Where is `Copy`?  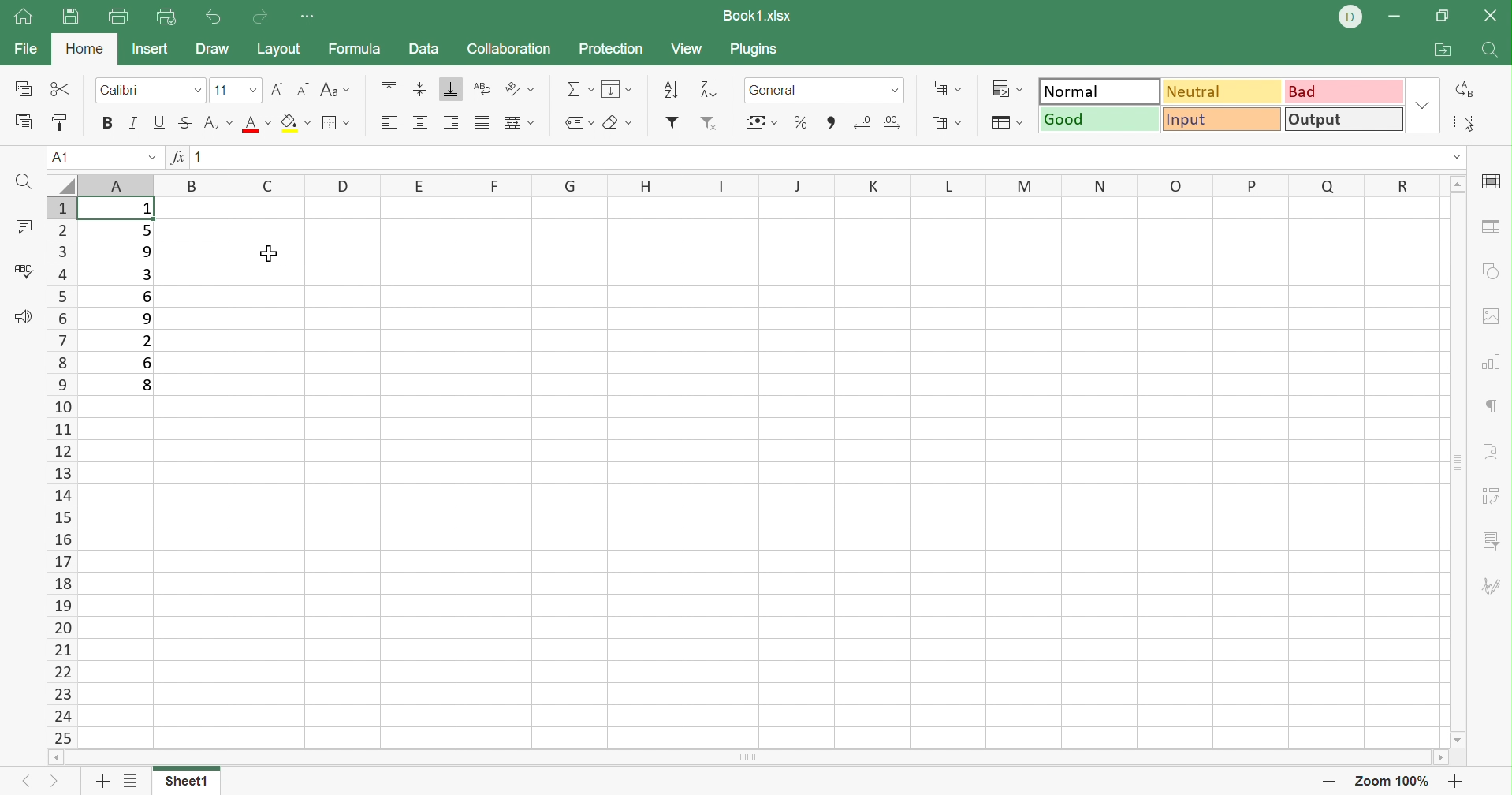
Copy is located at coordinates (20, 90).